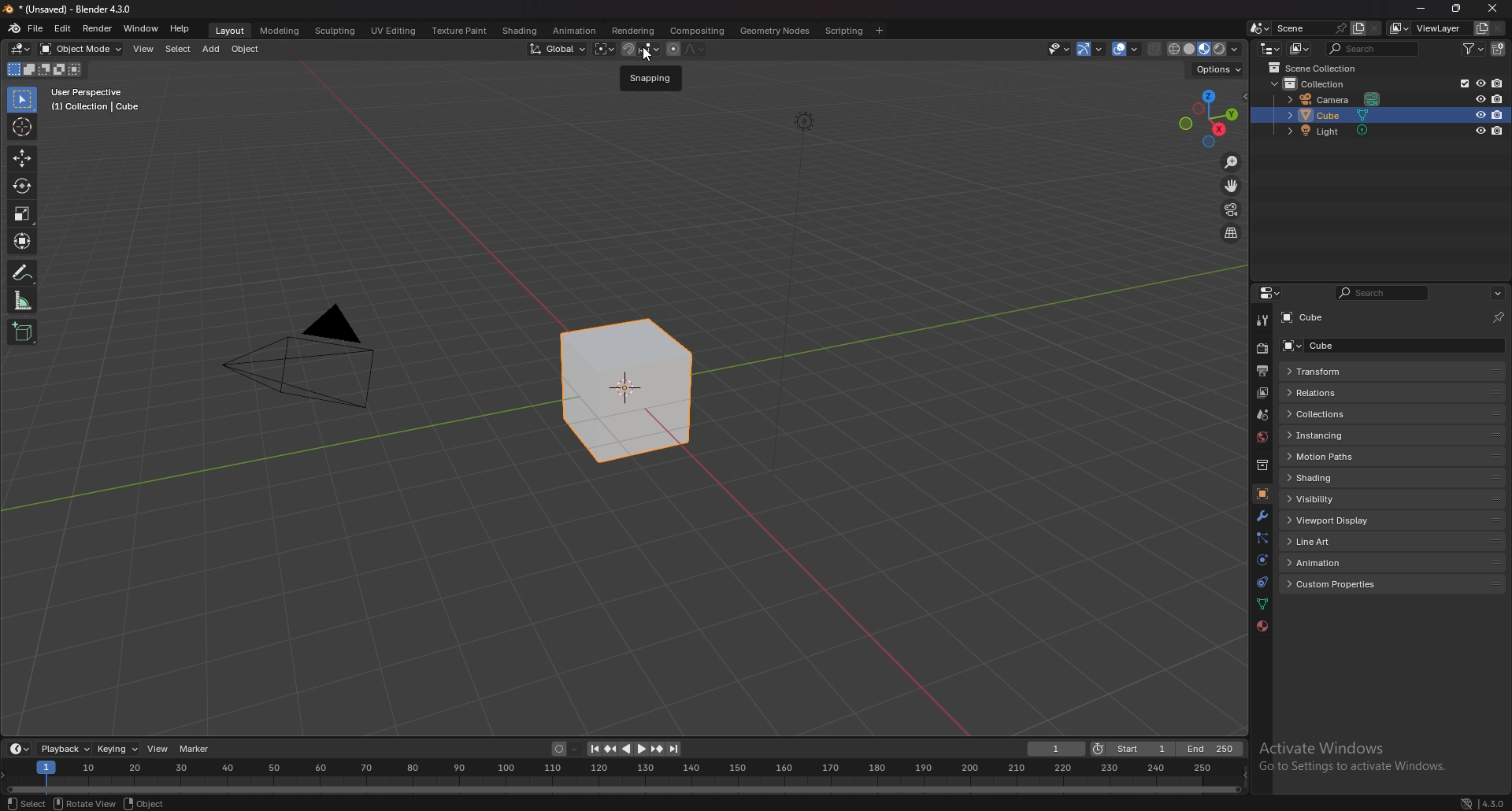 The height and width of the screenshot is (811, 1512). I want to click on minimize, so click(1421, 8).